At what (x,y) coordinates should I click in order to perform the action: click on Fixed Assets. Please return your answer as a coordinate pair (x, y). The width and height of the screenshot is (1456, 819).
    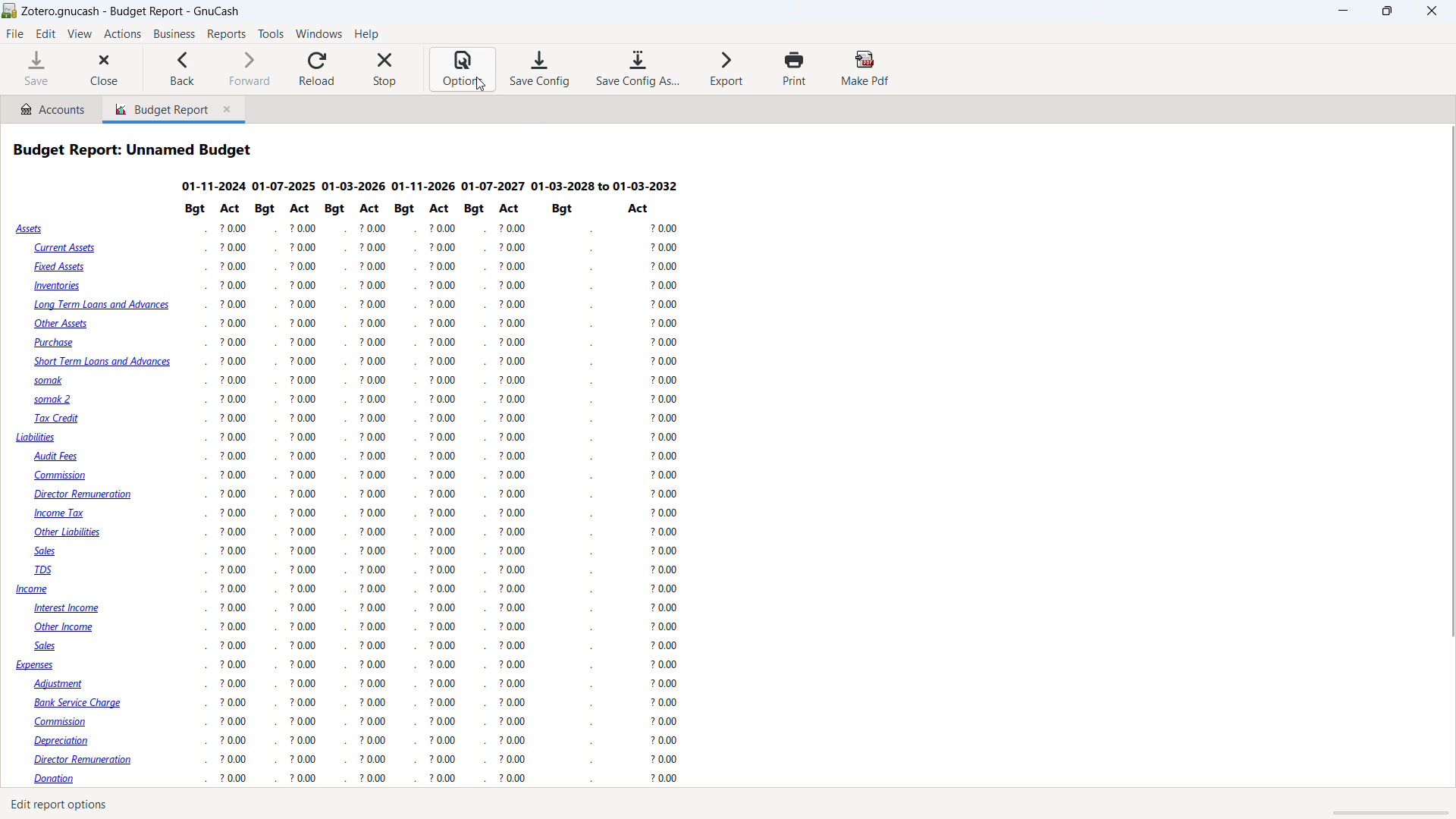
    Looking at the image, I should click on (61, 266).